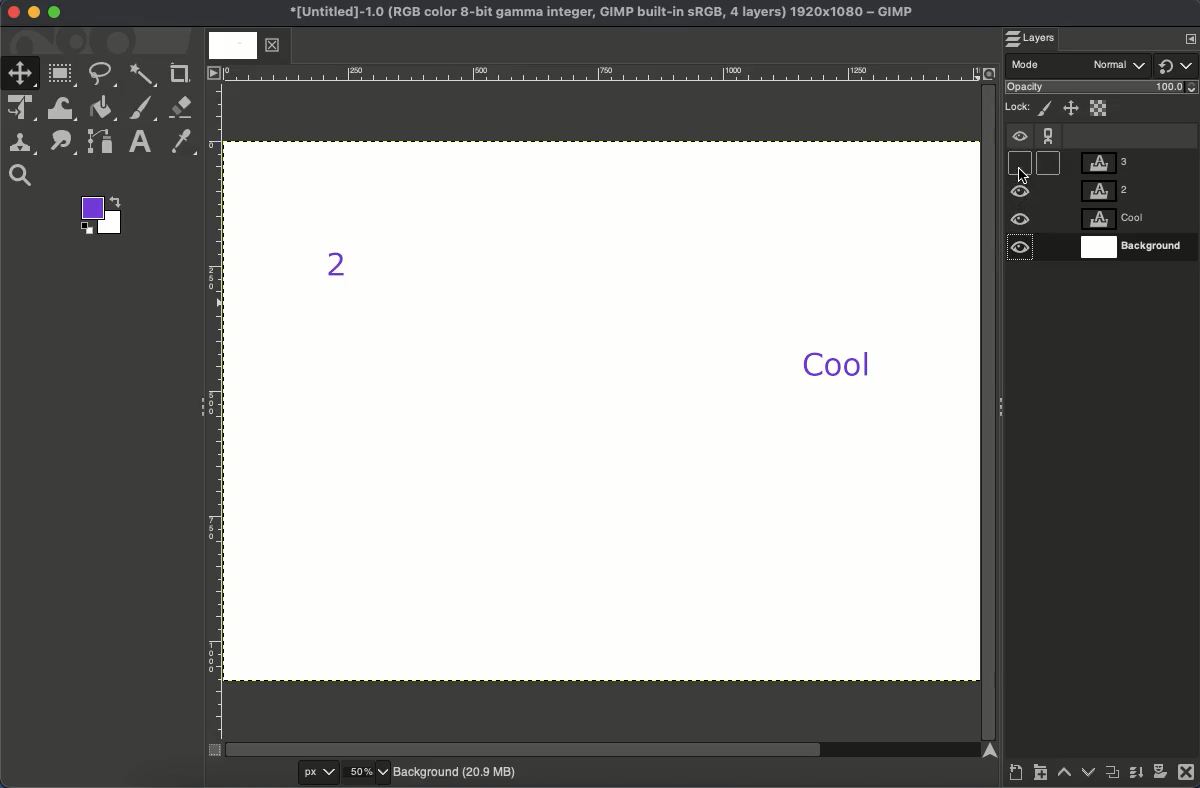  Describe the element at coordinates (597, 14) in the screenshot. I see `Name` at that location.